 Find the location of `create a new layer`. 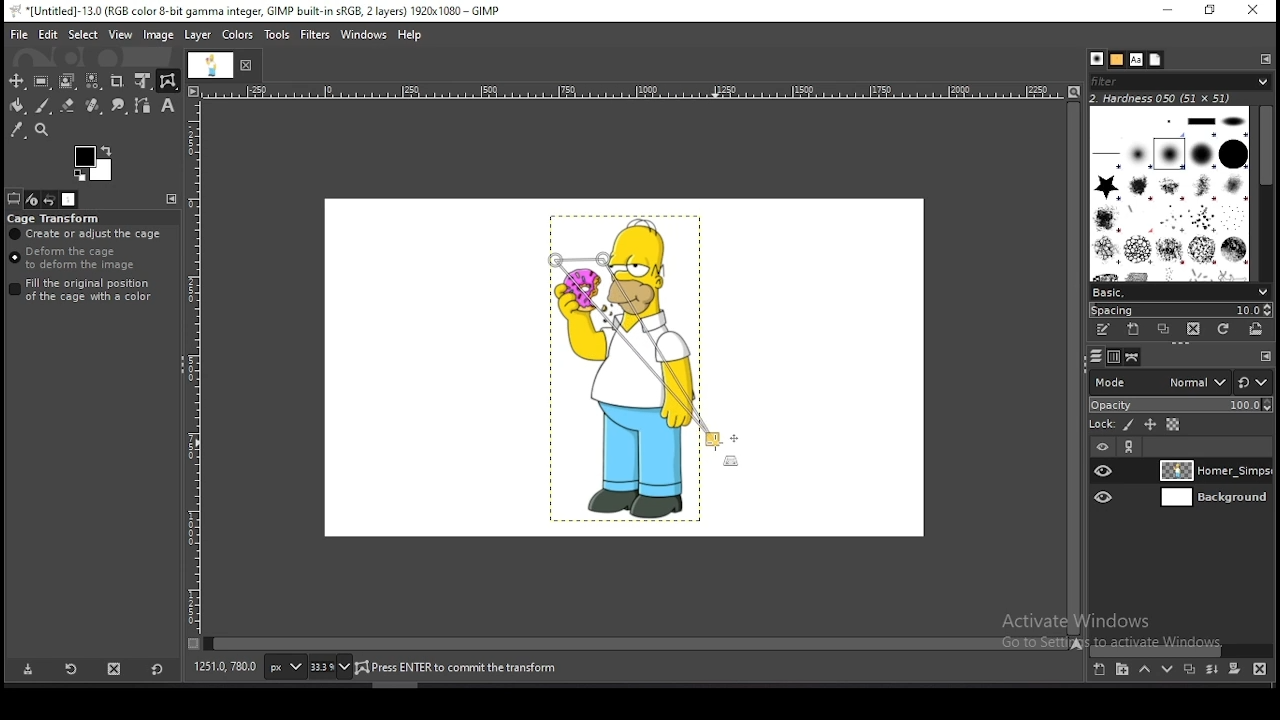

create a new layer is located at coordinates (1099, 670).